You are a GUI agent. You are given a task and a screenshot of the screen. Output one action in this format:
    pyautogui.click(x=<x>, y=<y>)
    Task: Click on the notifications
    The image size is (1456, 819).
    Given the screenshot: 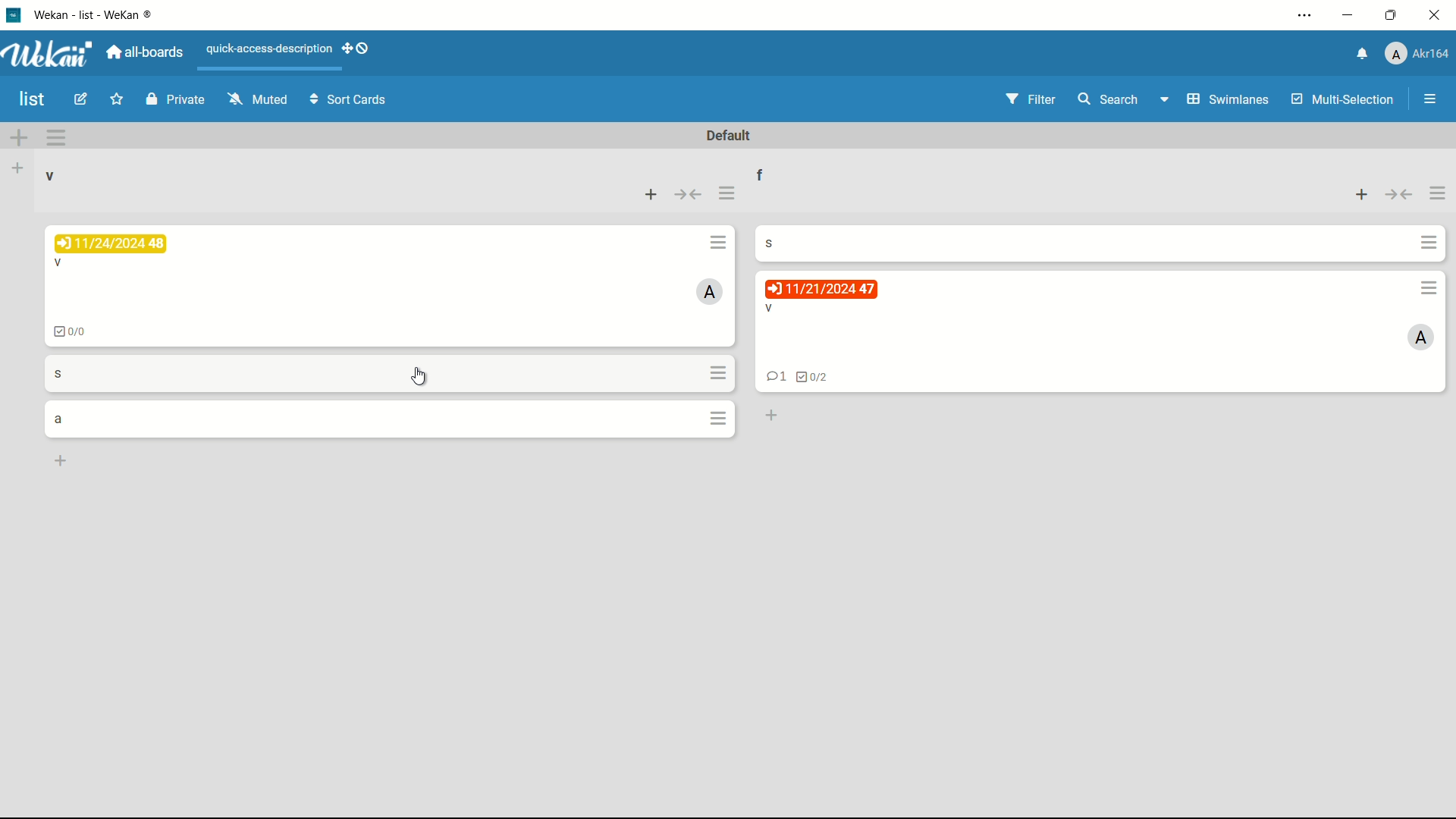 What is the action you would take?
    pyautogui.click(x=1361, y=55)
    